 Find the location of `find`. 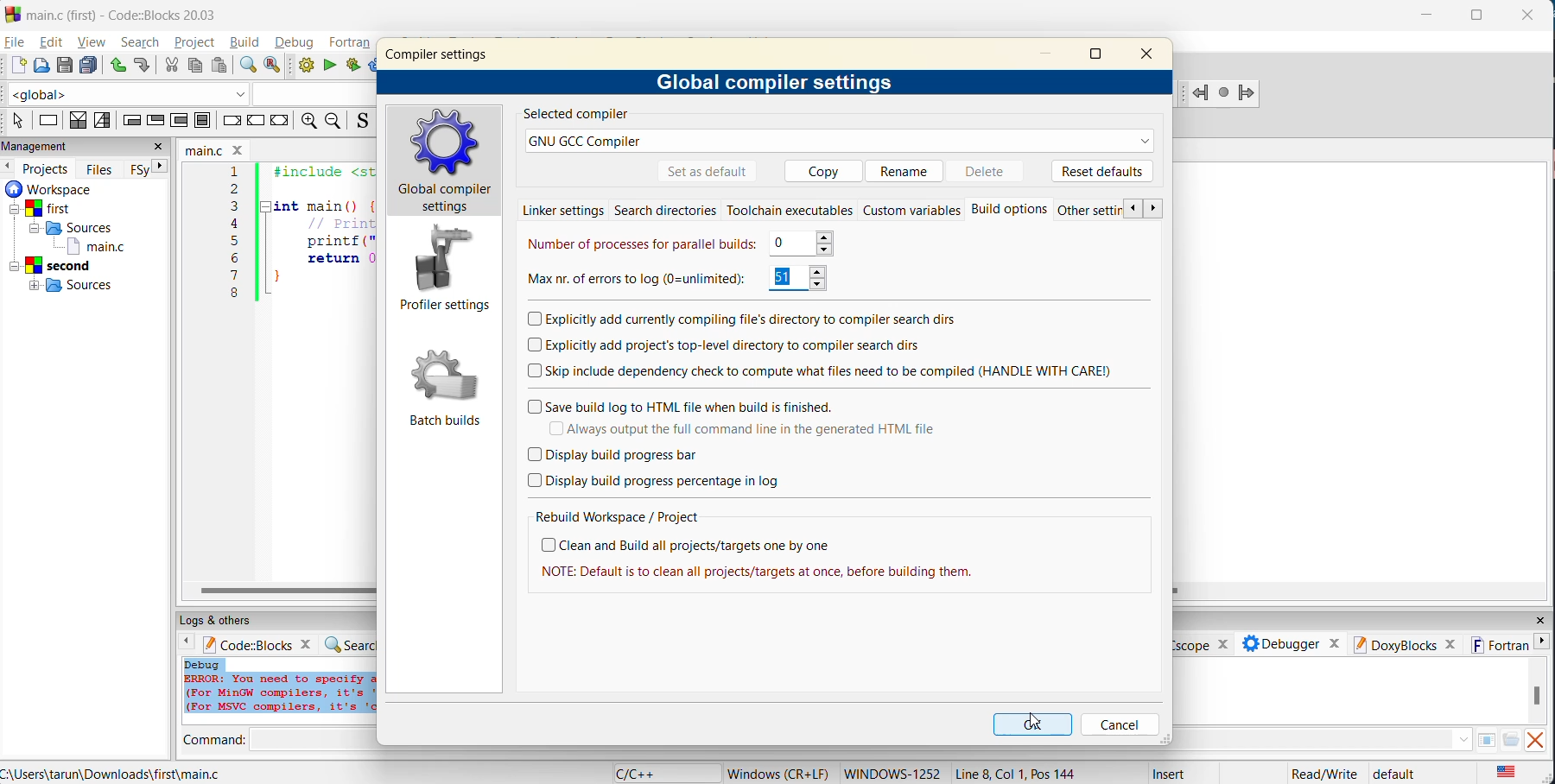

find is located at coordinates (247, 67).